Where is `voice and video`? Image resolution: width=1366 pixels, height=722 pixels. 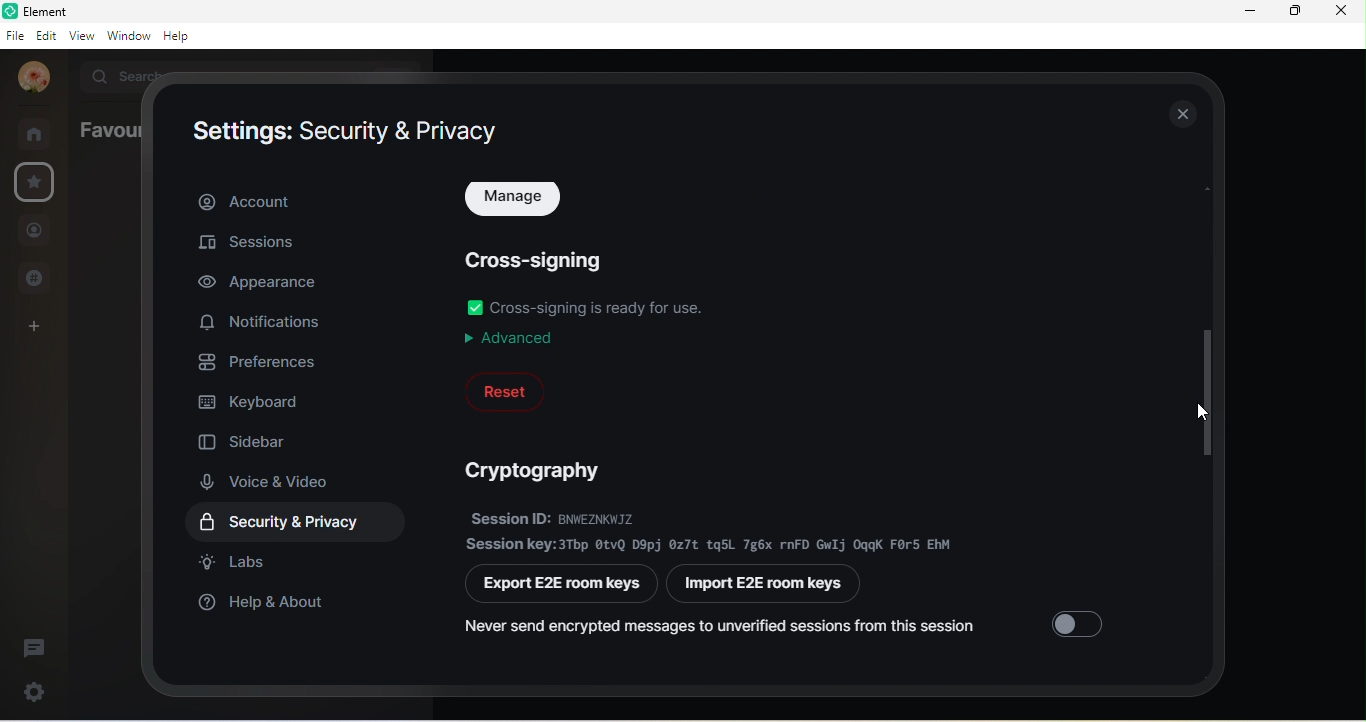
voice and video is located at coordinates (273, 481).